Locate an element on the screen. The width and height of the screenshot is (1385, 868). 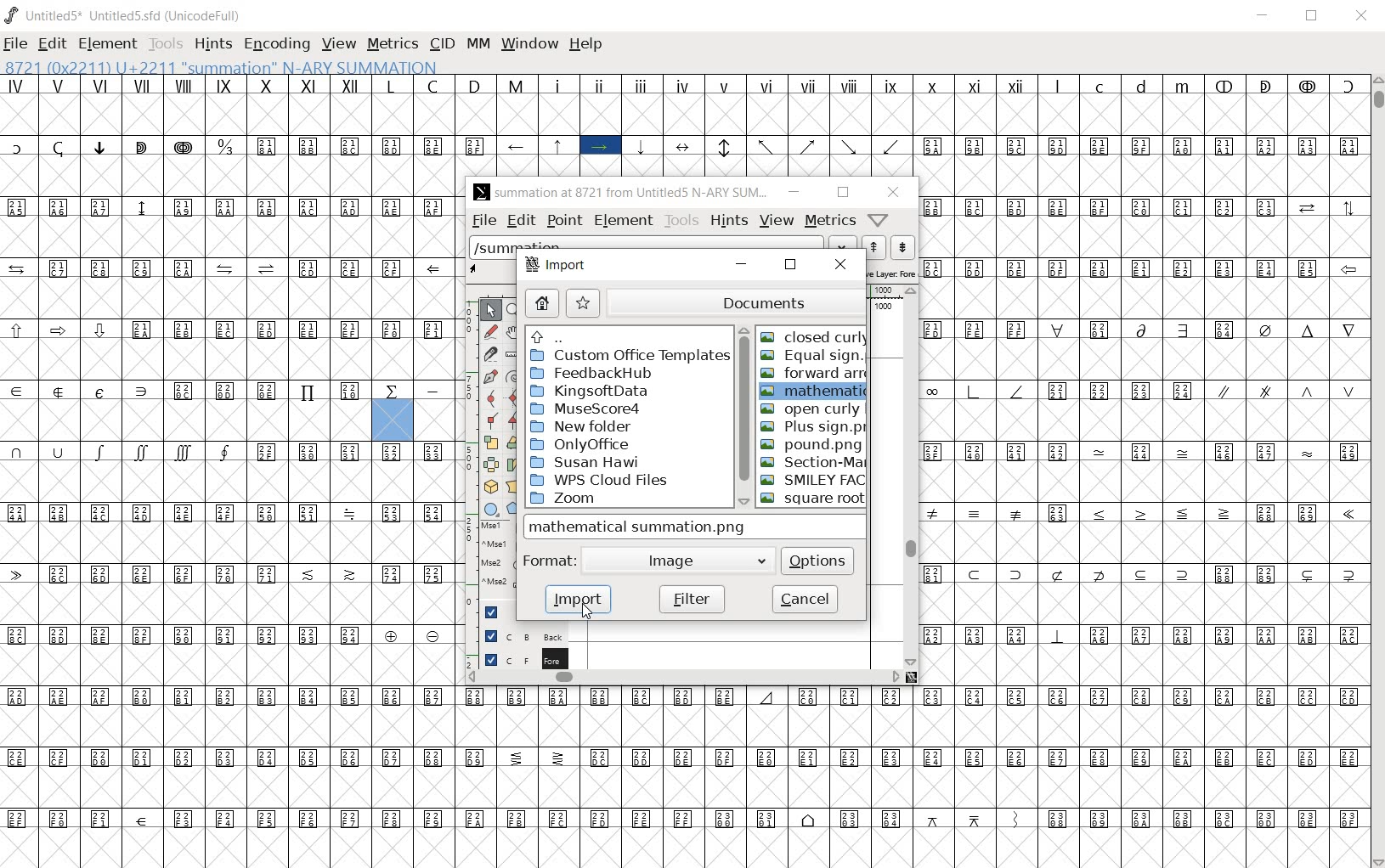
CID is located at coordinates (440, 44).